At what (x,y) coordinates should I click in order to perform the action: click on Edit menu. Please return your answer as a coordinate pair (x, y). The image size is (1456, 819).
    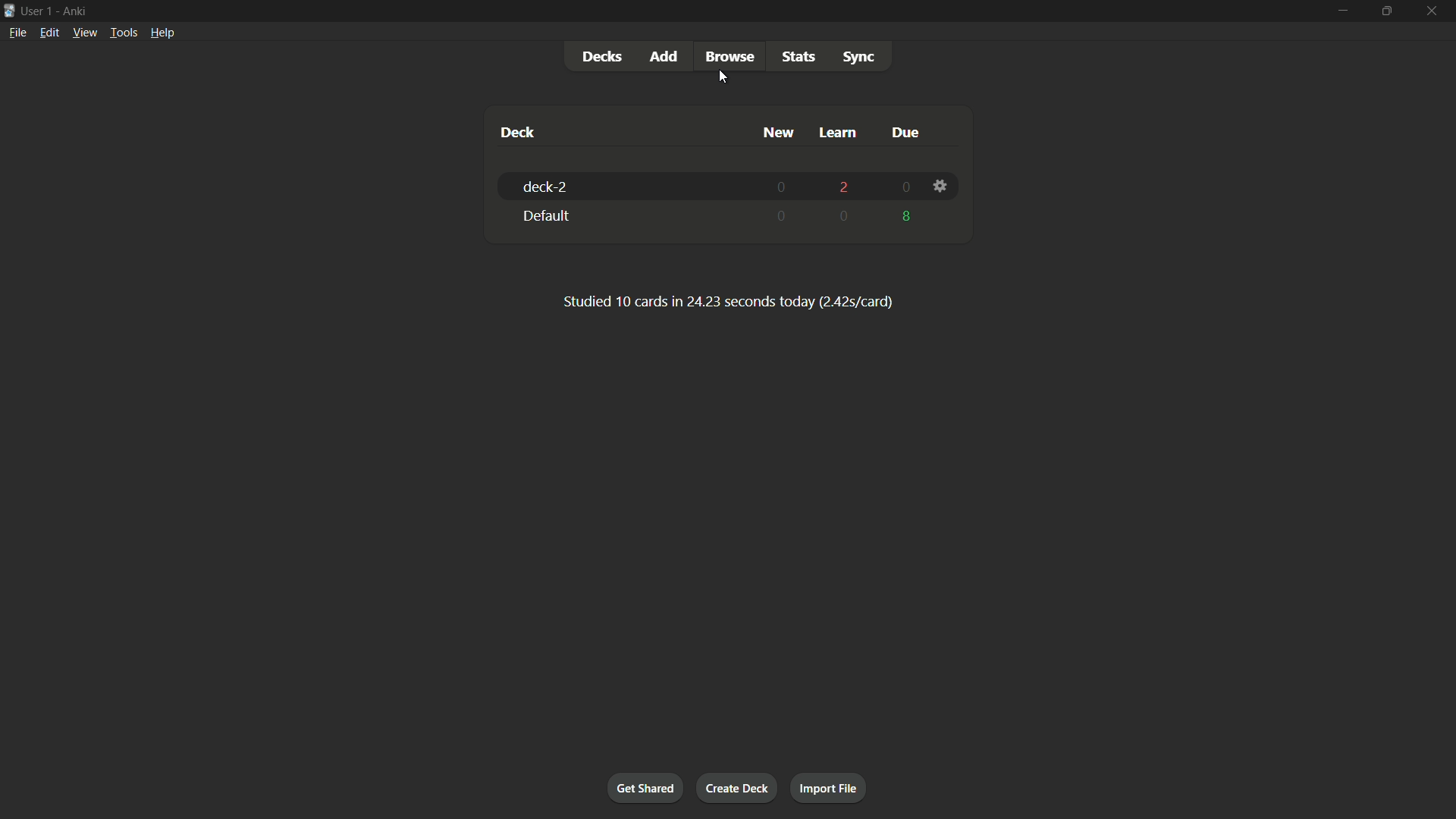
    Looking at the image, I should click on (49, 34).